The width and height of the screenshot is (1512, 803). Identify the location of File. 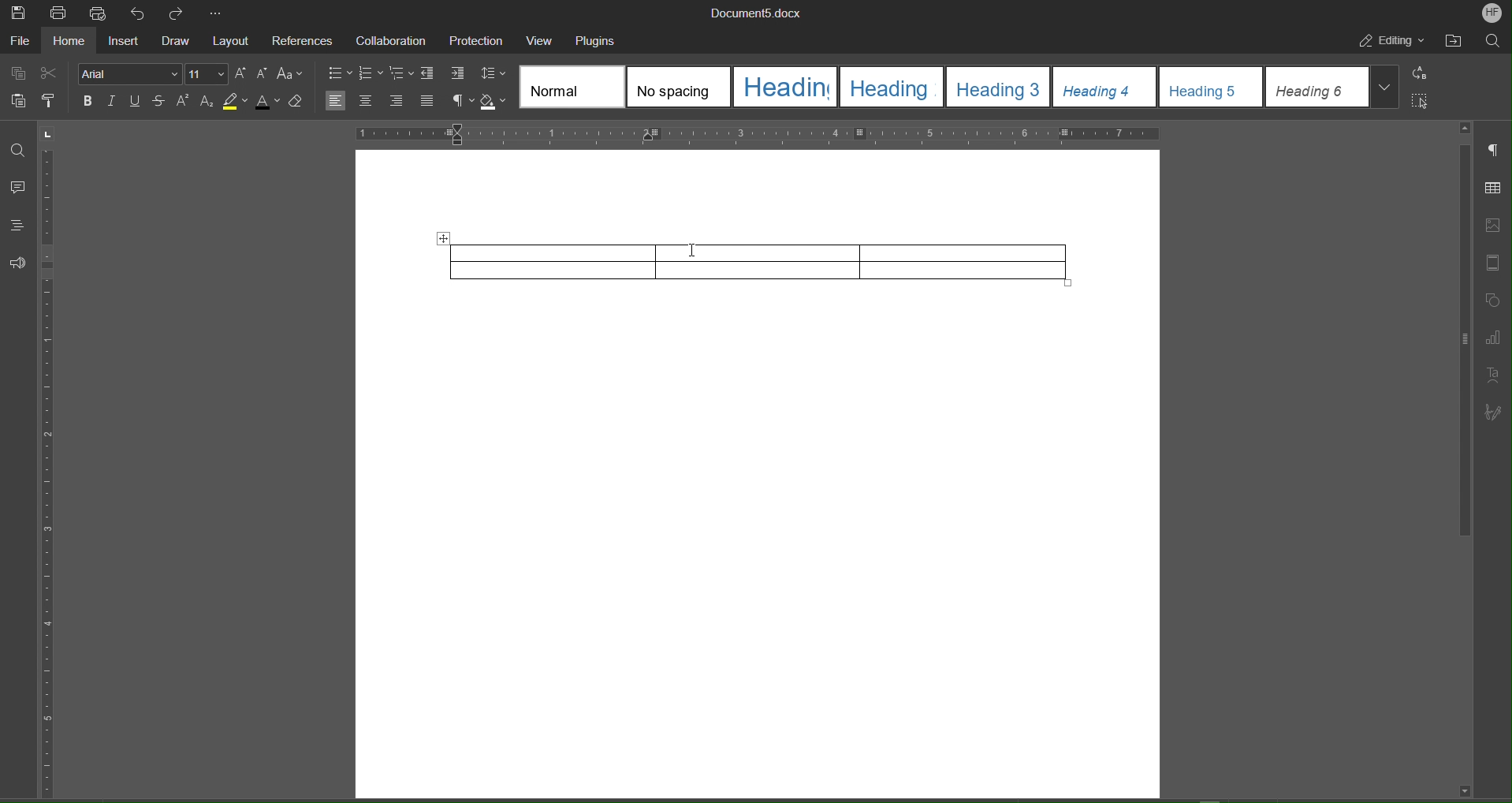
(20, 43).